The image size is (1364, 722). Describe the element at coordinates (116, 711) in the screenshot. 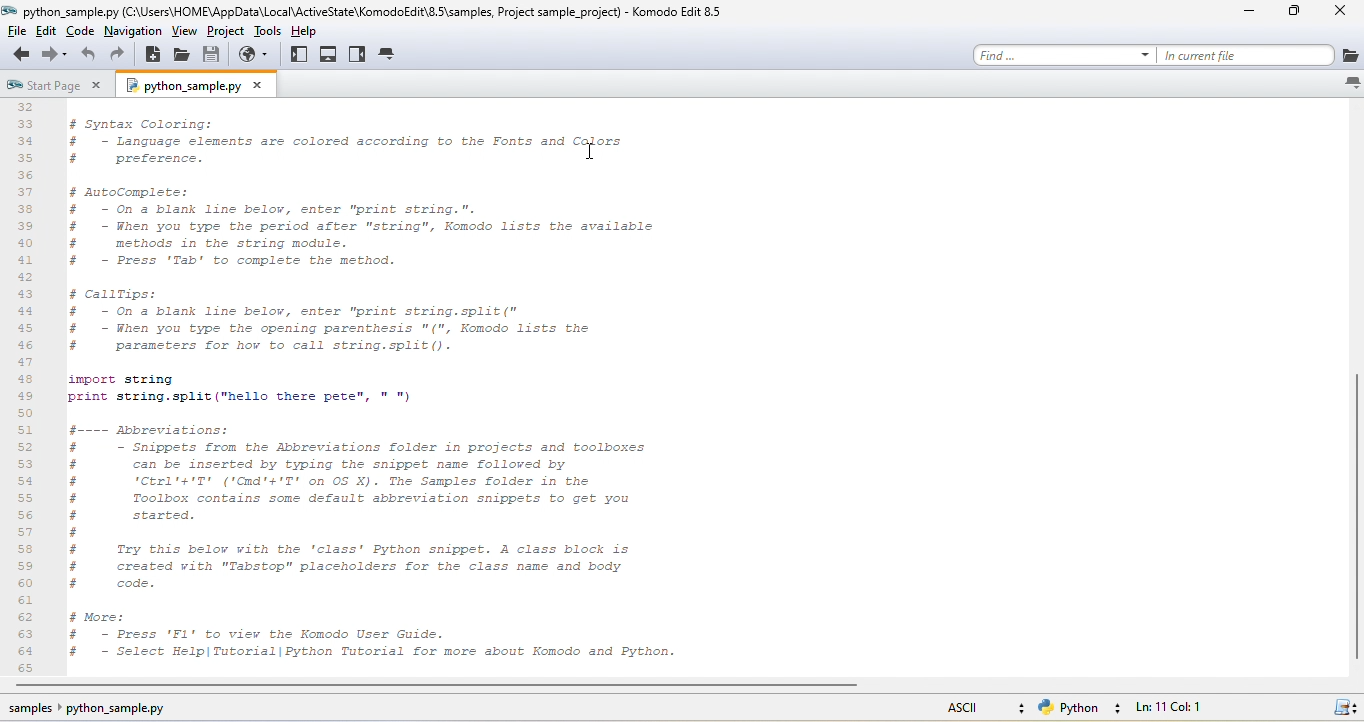

I see `sample python` at that location.